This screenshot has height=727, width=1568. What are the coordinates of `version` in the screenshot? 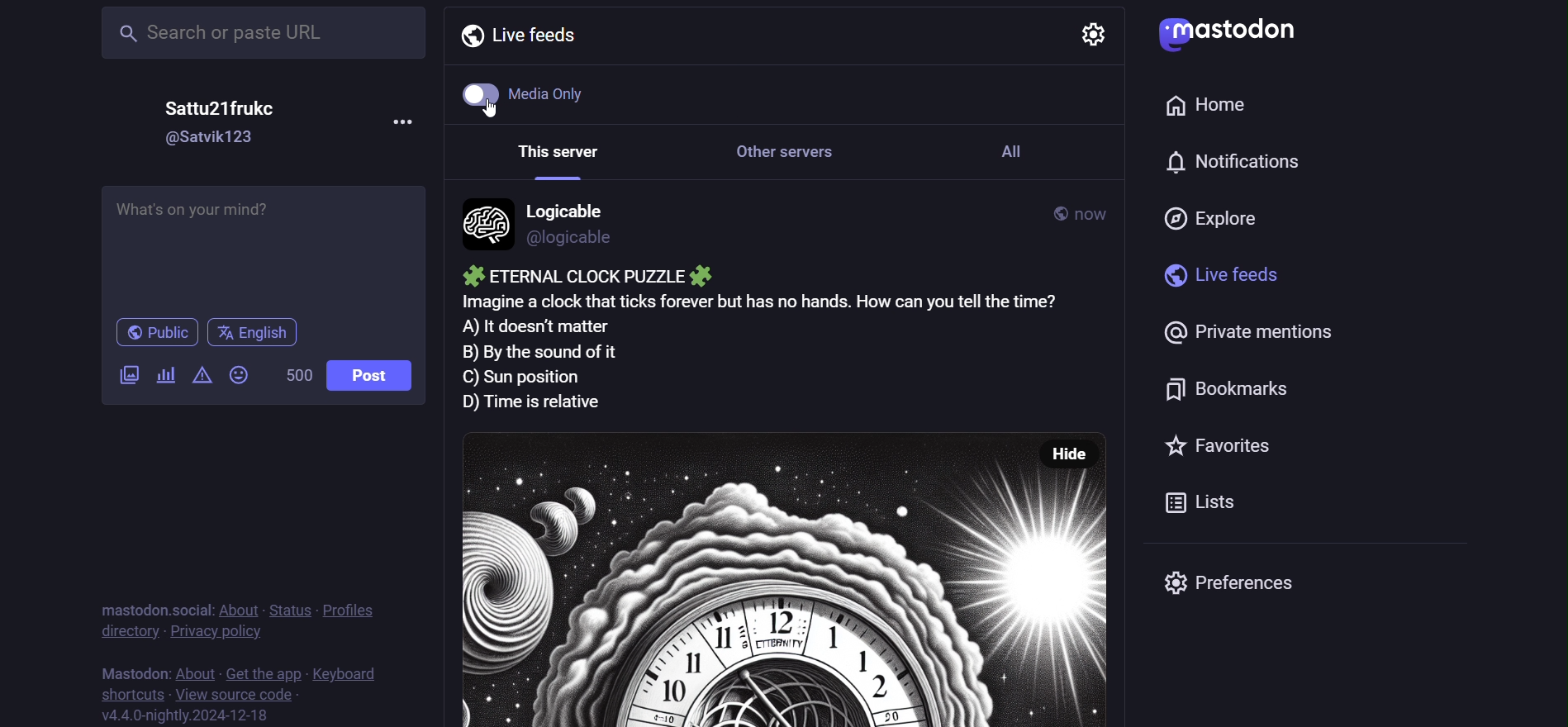 It's located at (186, 715).